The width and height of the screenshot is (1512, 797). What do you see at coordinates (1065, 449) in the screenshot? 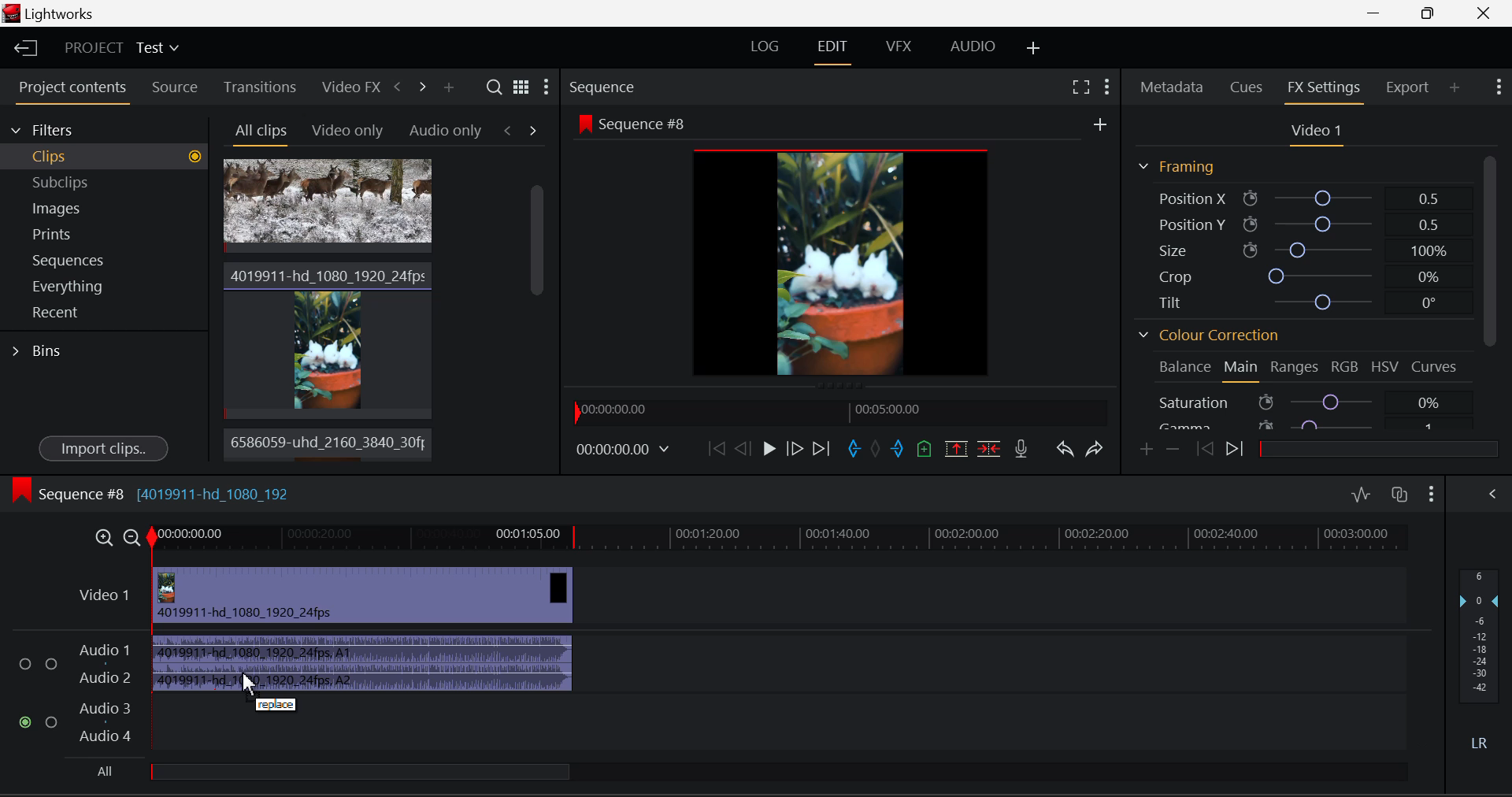
I see `Undo` at bounding box center [1065, 449].